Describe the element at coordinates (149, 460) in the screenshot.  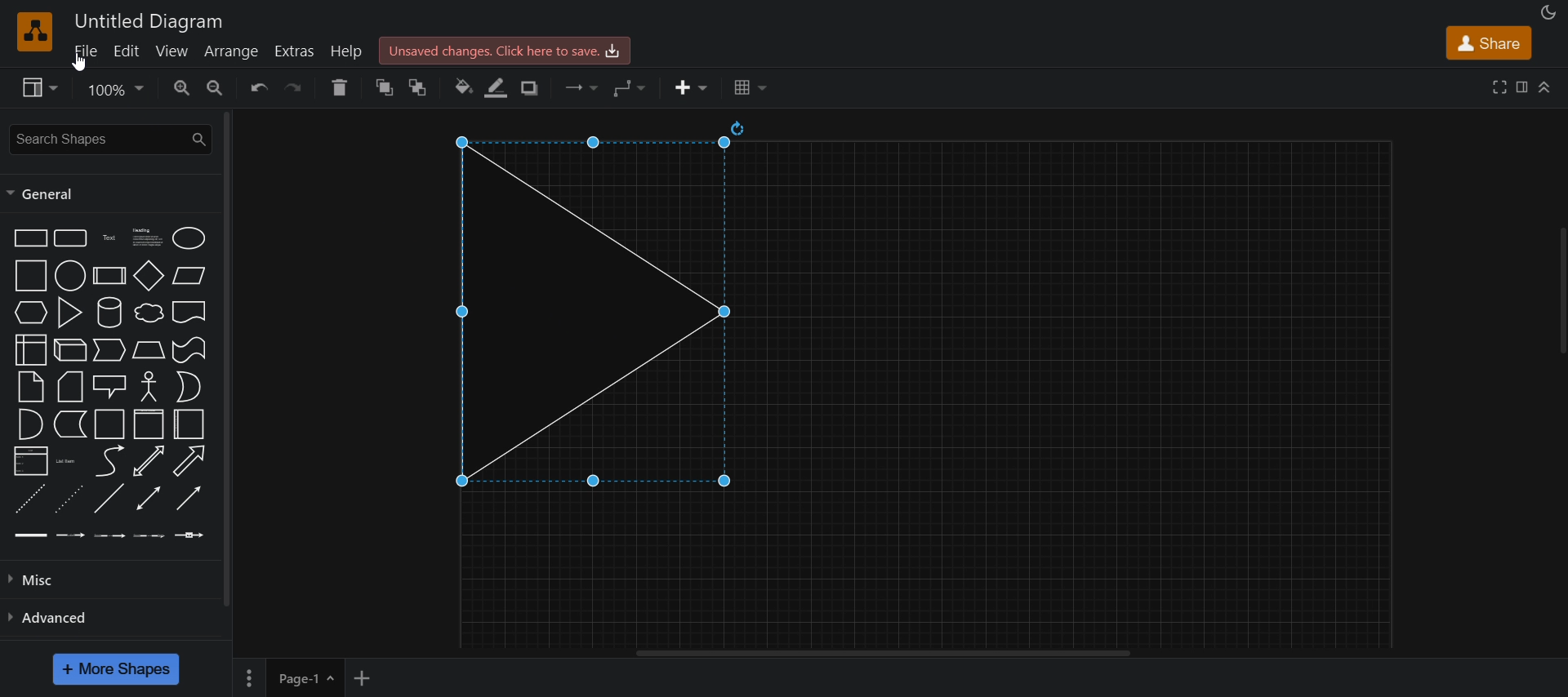
I see `bidirectional arrow` at that location.